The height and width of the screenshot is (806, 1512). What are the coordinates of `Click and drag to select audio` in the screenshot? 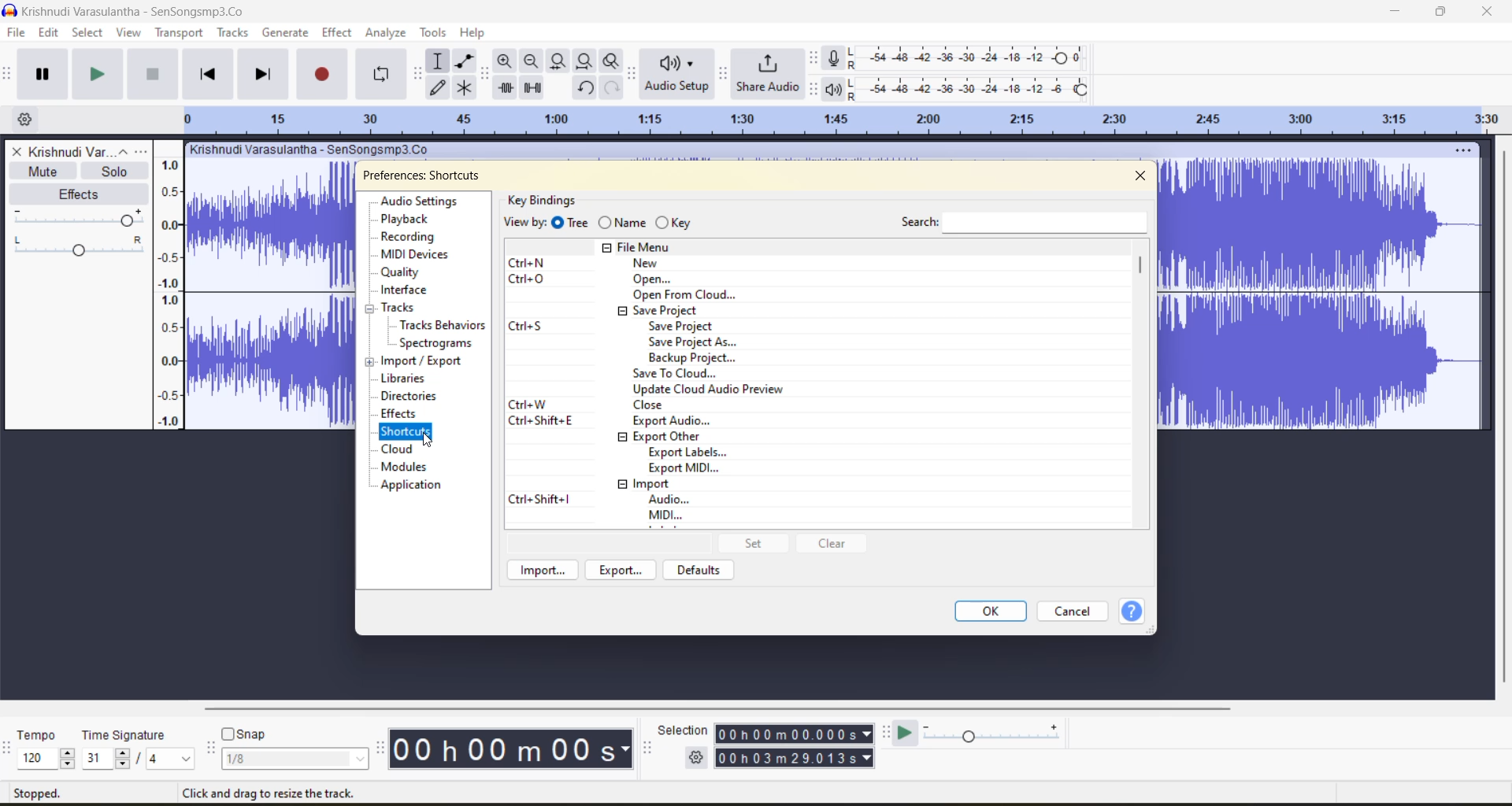 It's located at (258, 791).